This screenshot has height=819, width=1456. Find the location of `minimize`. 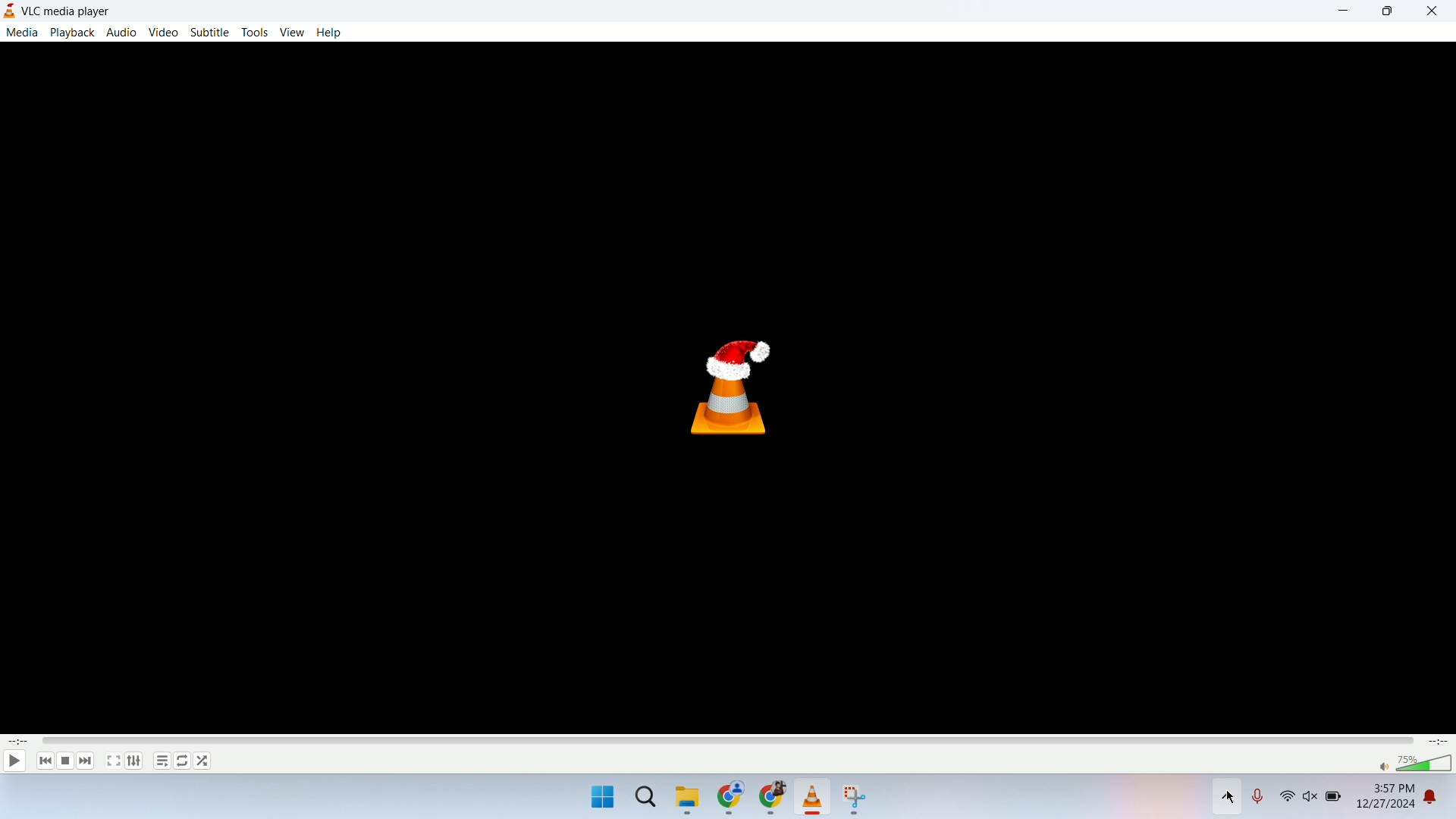

minimize is located at coordinates (1345, 11).